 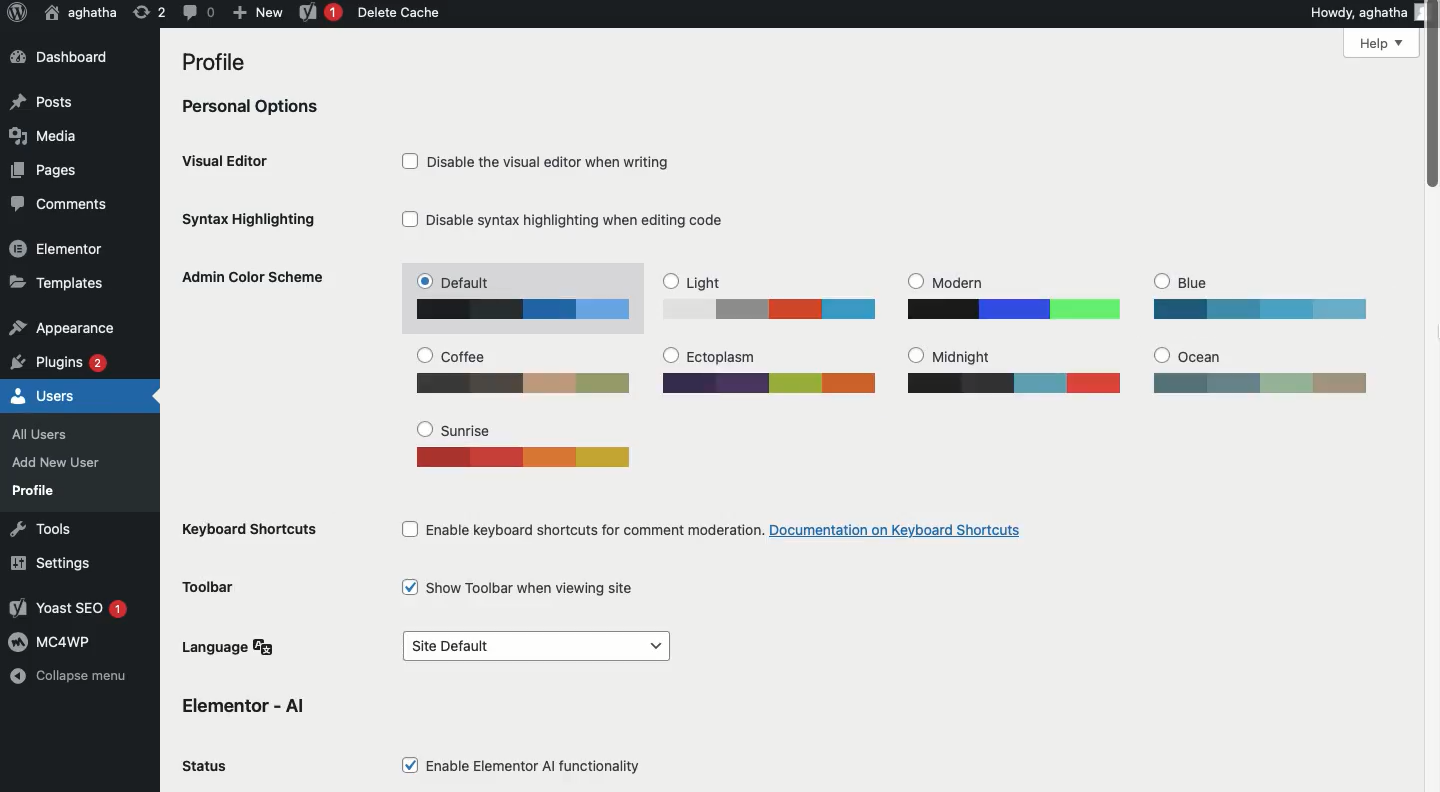 I want to click on Dashboard, so click(x=68, y=58).